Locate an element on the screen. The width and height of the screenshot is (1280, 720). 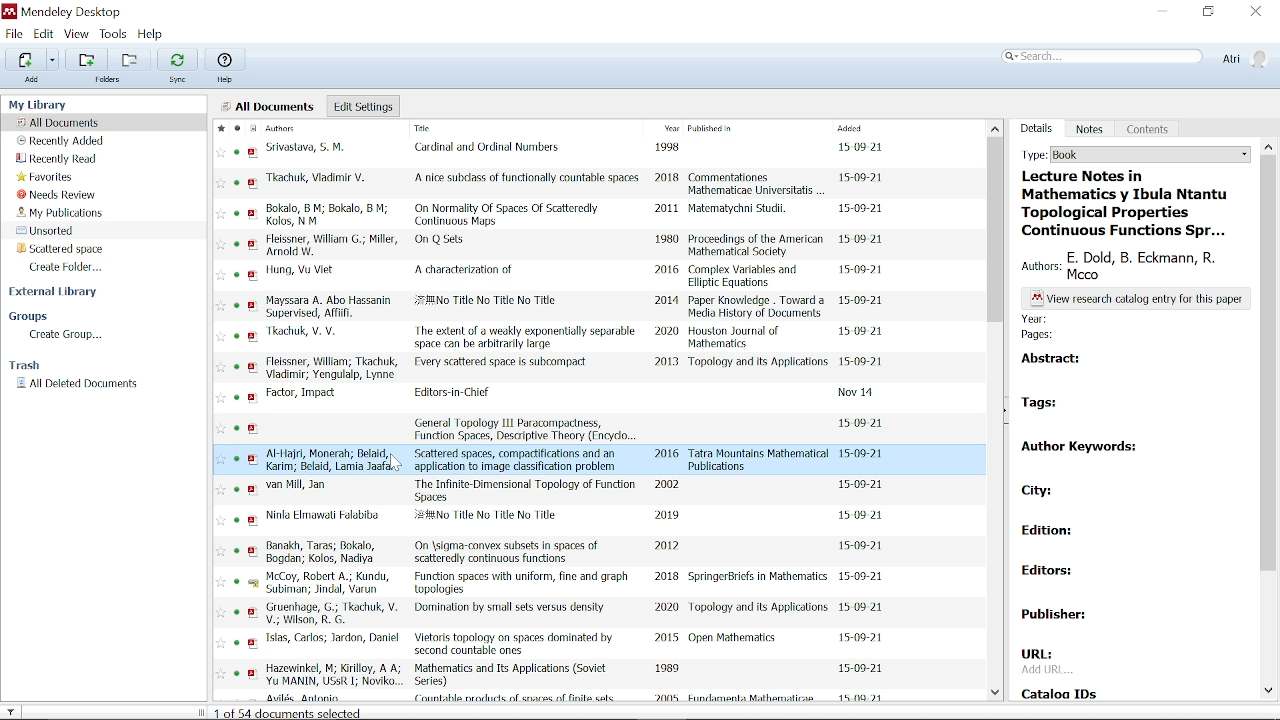
2020 is located at coordinates (665, 607).